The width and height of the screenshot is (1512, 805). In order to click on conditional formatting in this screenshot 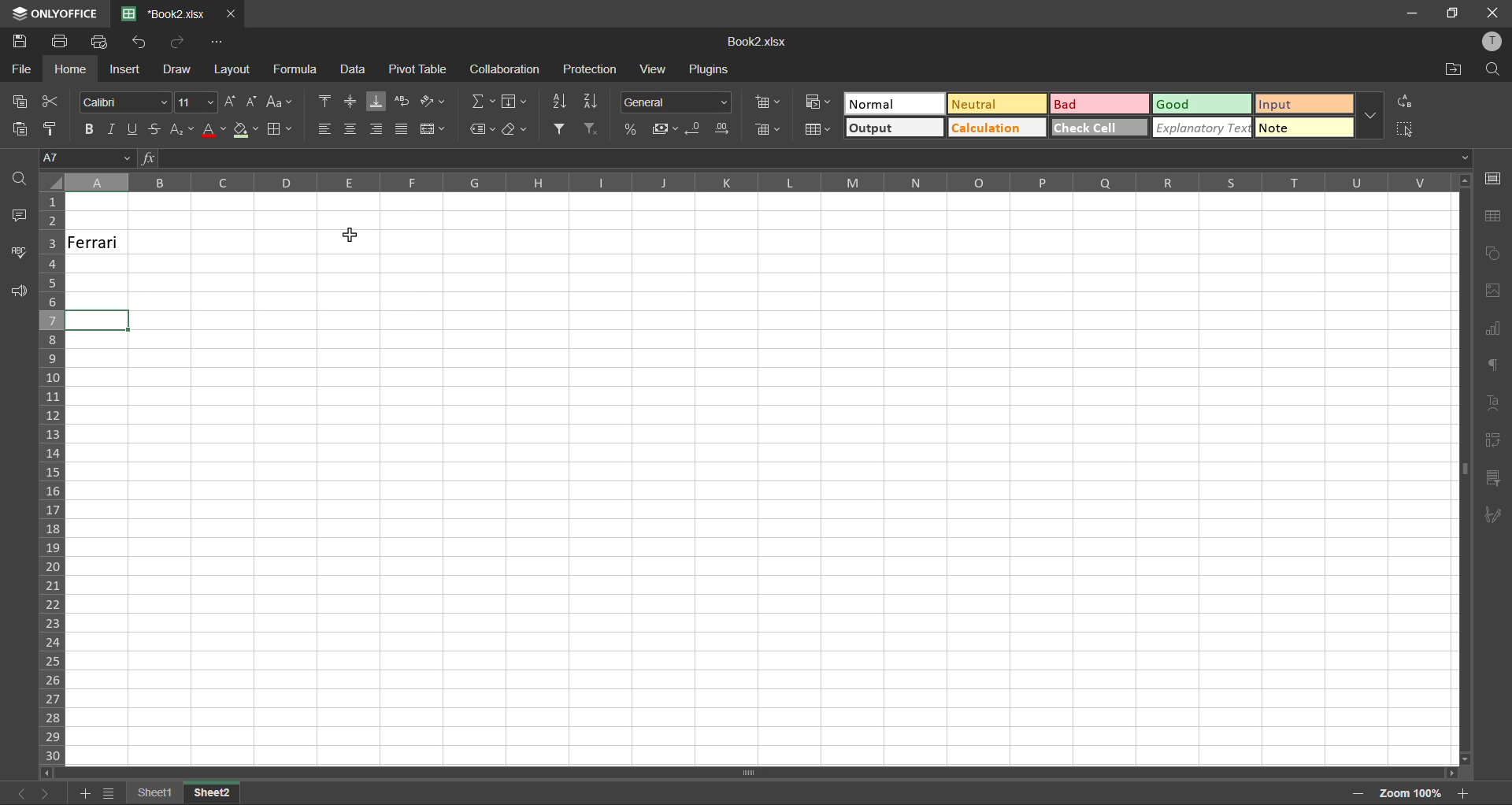, I will do `click(819, 102)`.